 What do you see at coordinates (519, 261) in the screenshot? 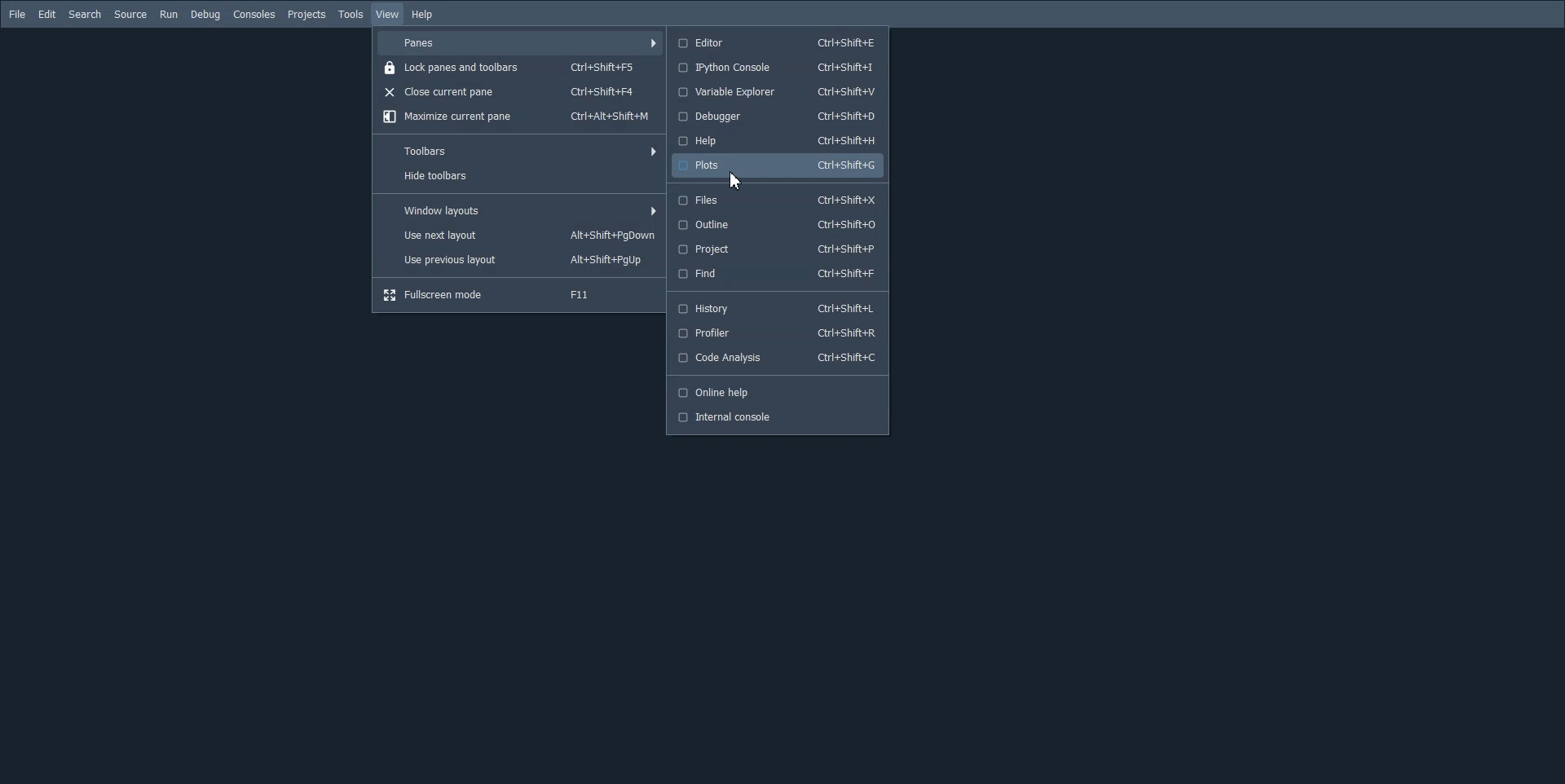
I see `Use previous layout` at bounding box center [519, 261].